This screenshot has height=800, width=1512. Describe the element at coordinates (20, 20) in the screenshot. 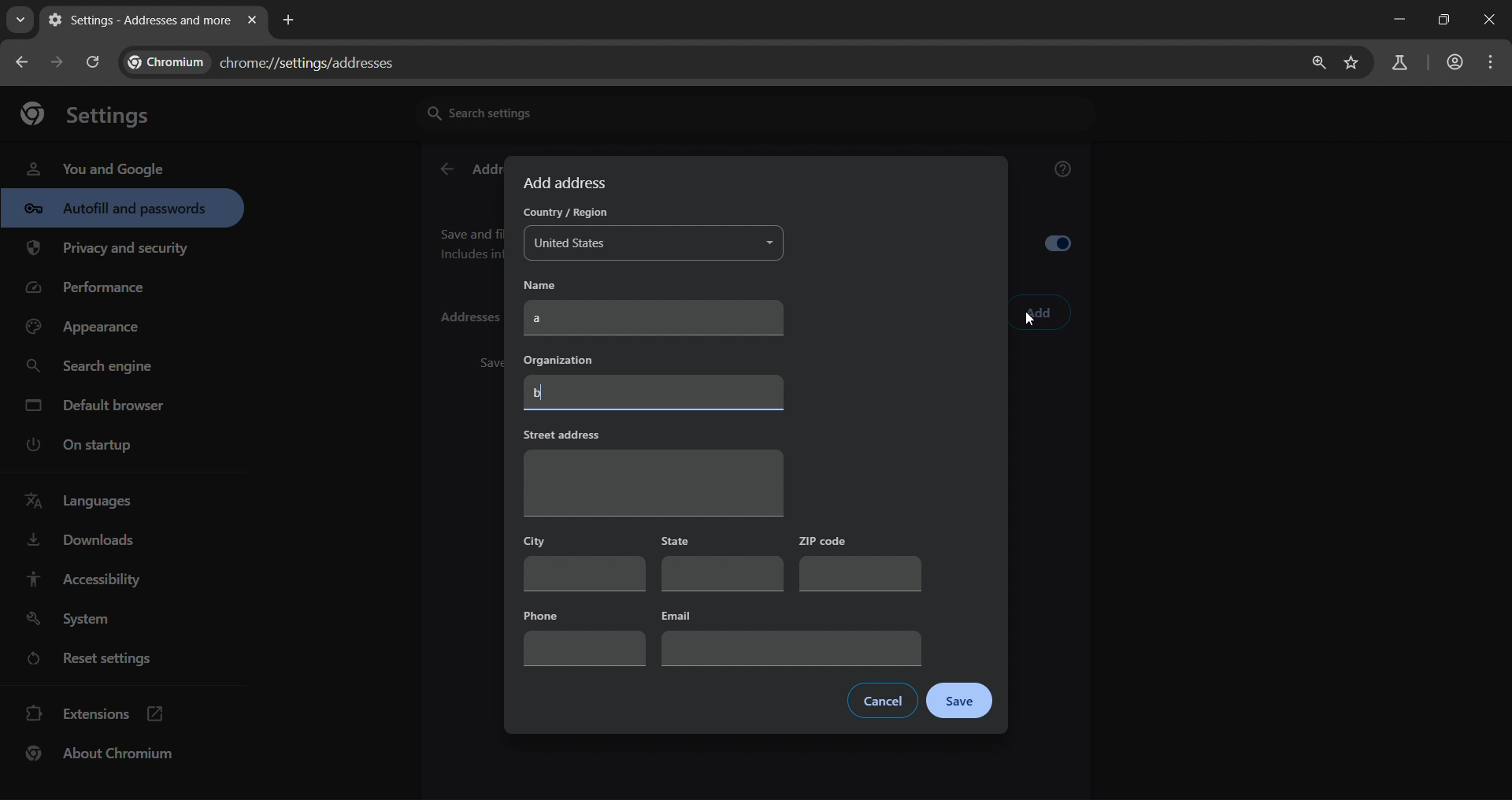

I see `search  tabs` at that location.